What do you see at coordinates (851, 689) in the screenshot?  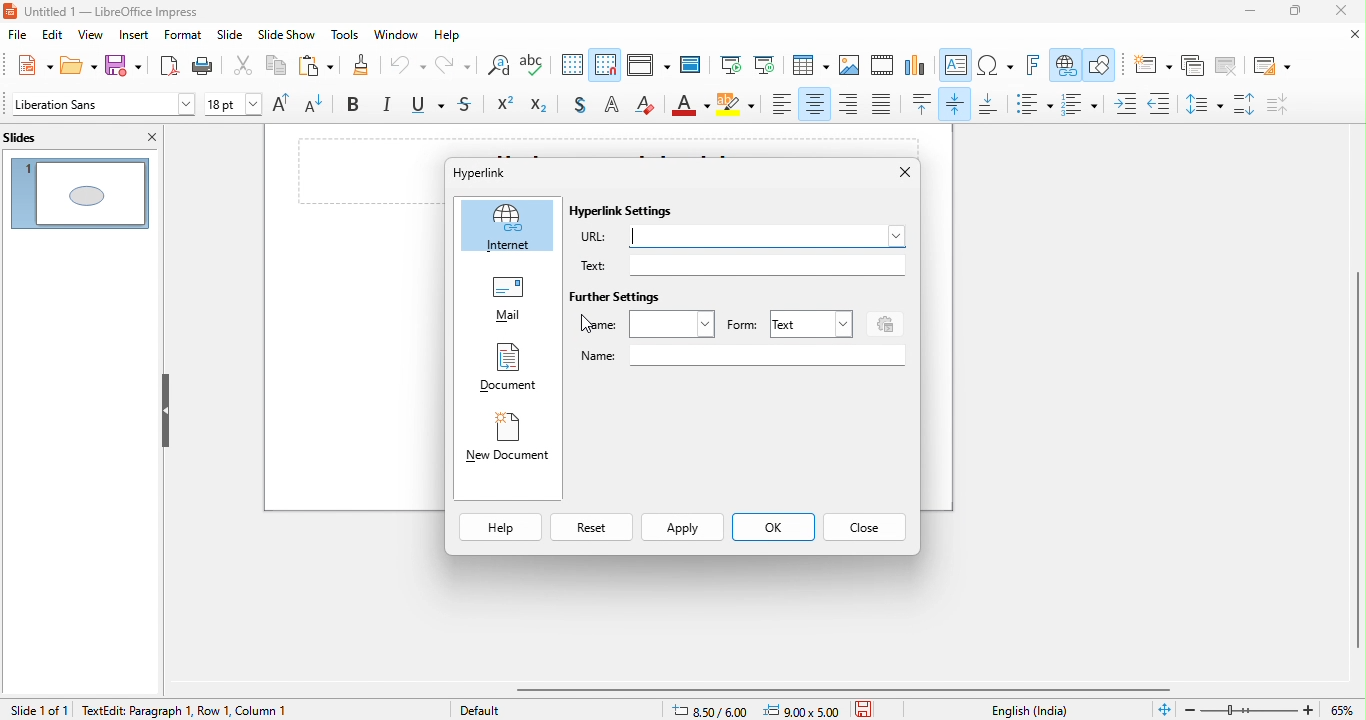 I see `horizontal scroll bar` at bounding box center [851, 689].